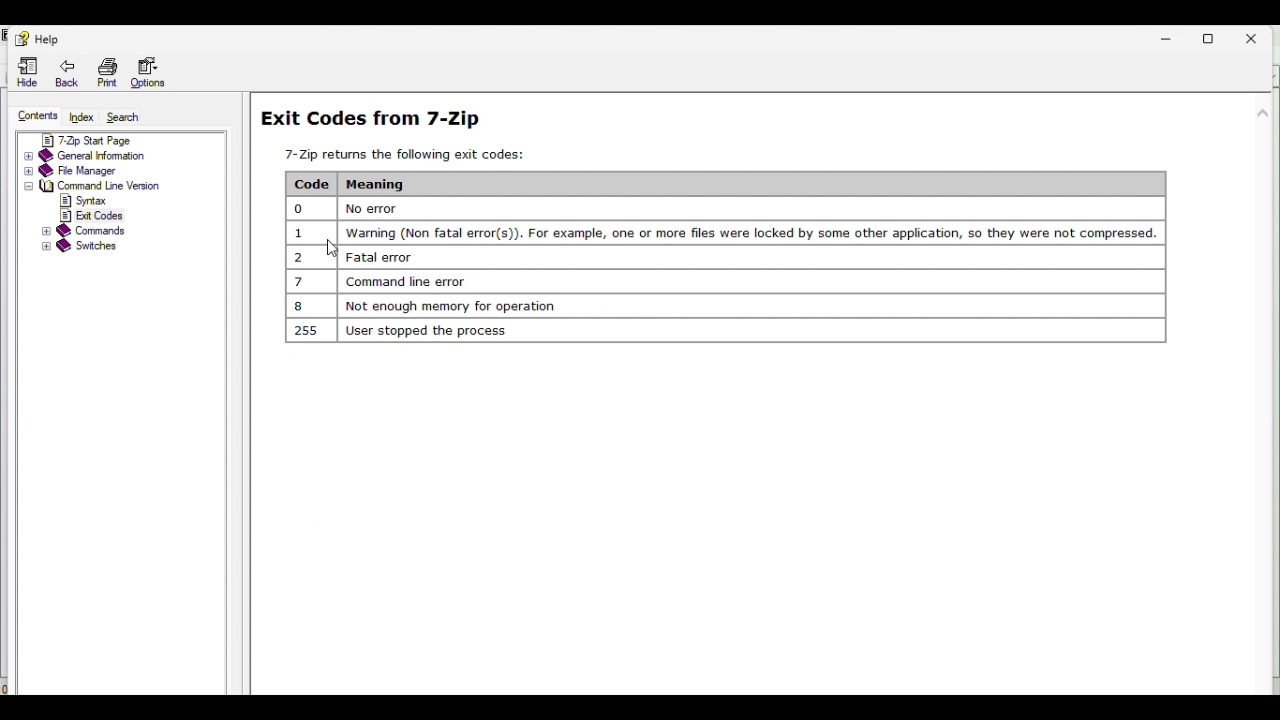 Image resolution: width=1280 pixels, height=720 pixels. What do you see at coordinates (108, 72) in the screenshot?
I see `Print` at bounding box center [108, 72].